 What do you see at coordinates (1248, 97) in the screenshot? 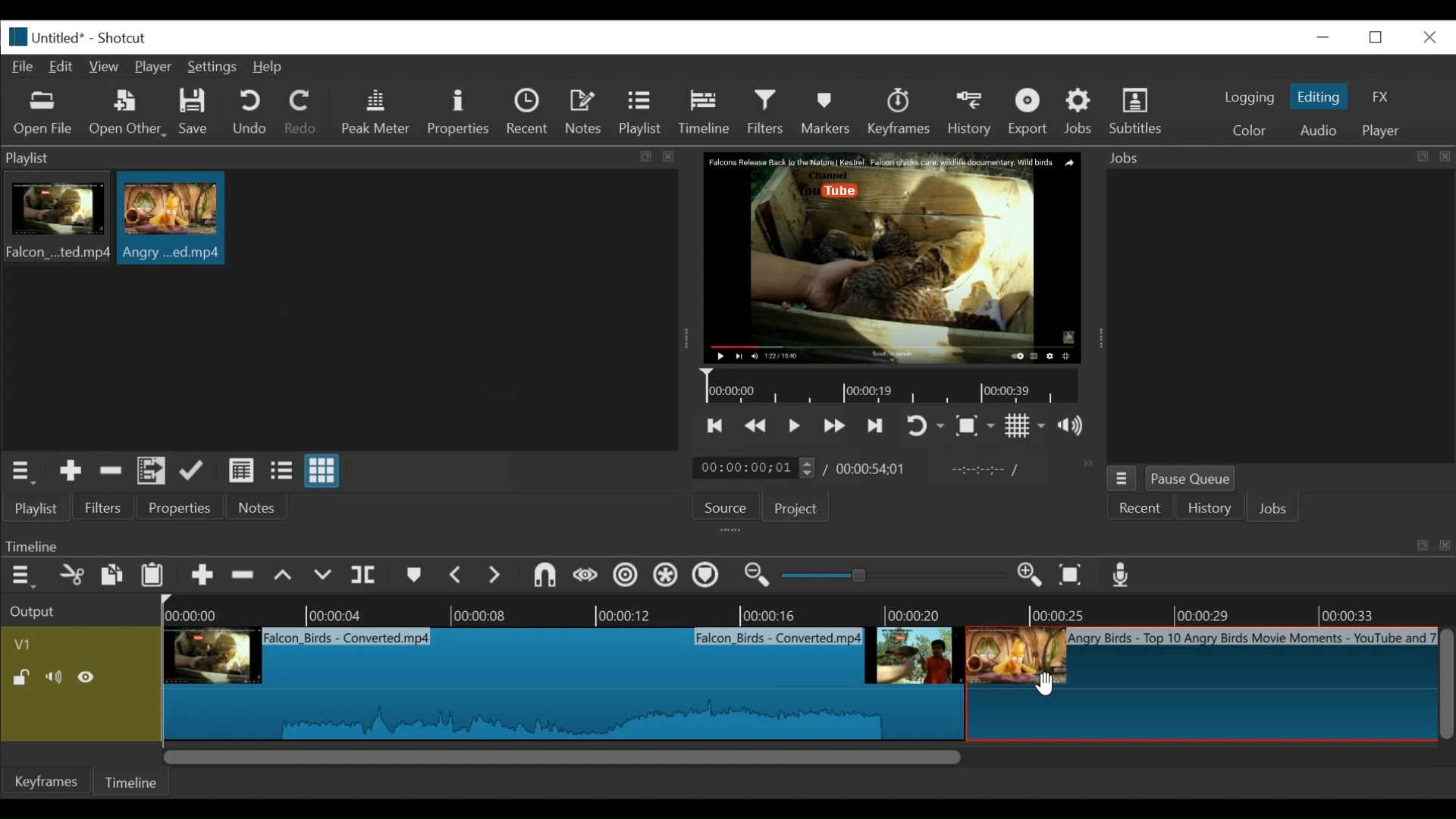
I see `logging` at bounding box center [1248, 97].